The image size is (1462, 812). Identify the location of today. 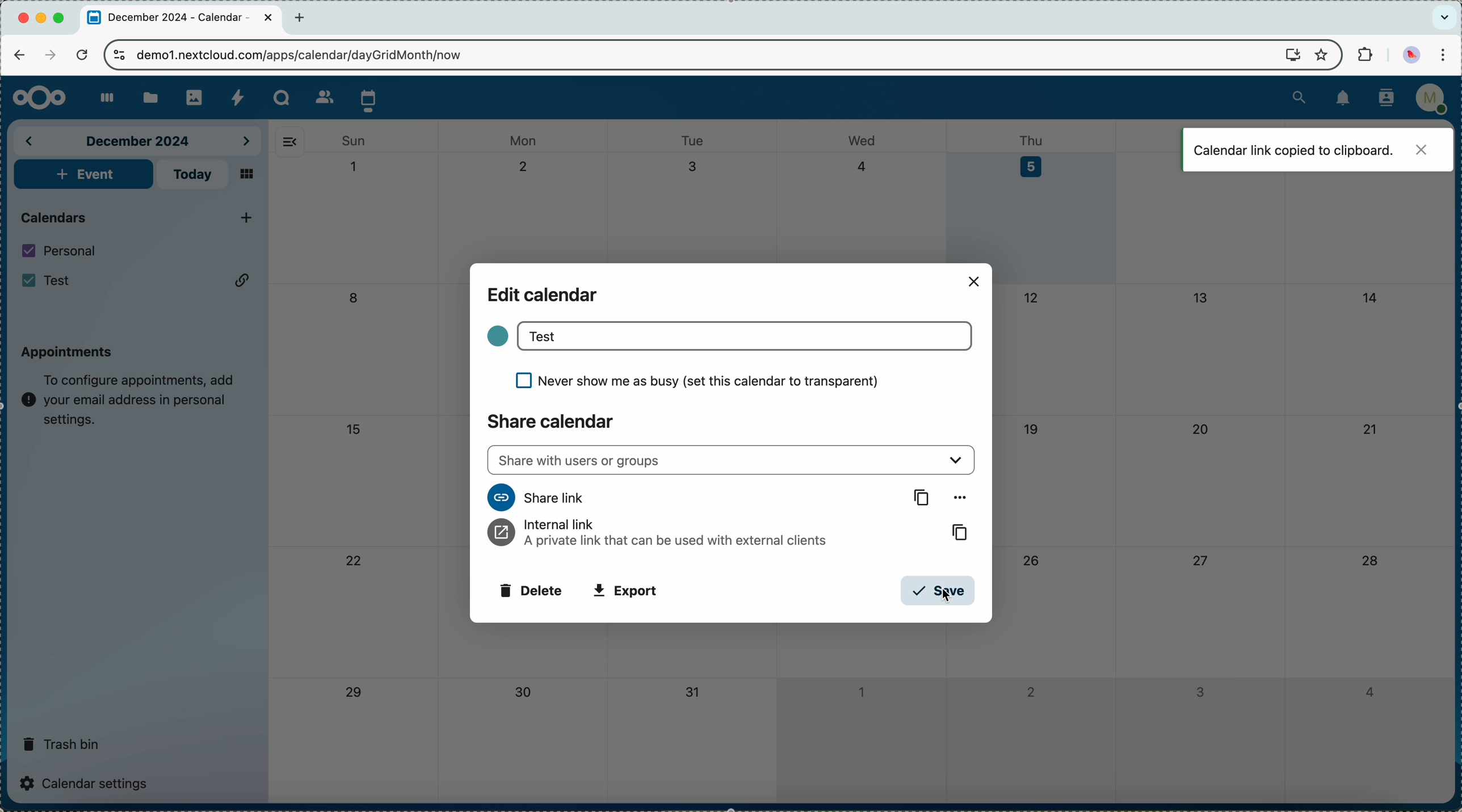
(194, 174).